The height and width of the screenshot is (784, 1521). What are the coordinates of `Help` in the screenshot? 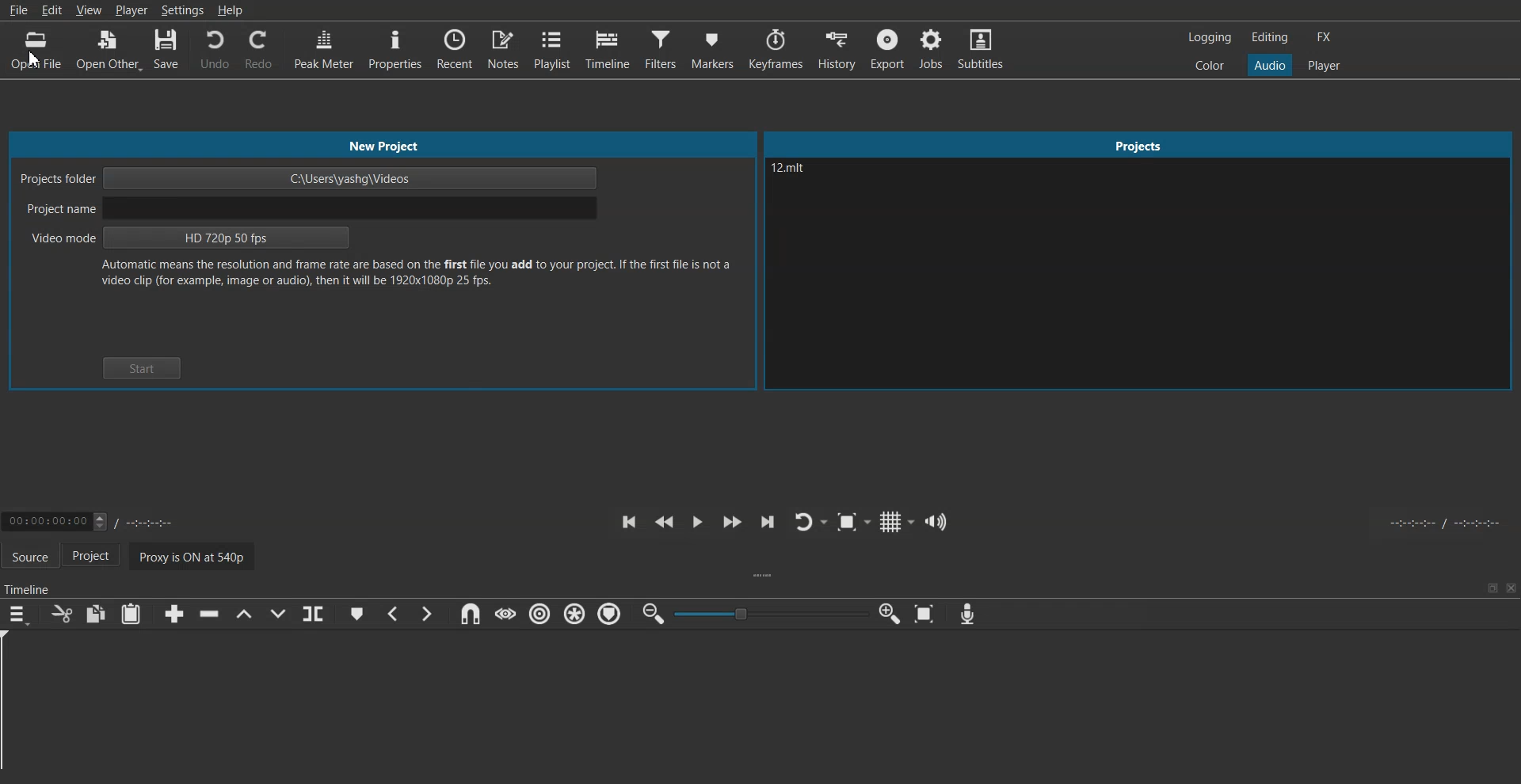 It's located at (231, 10).